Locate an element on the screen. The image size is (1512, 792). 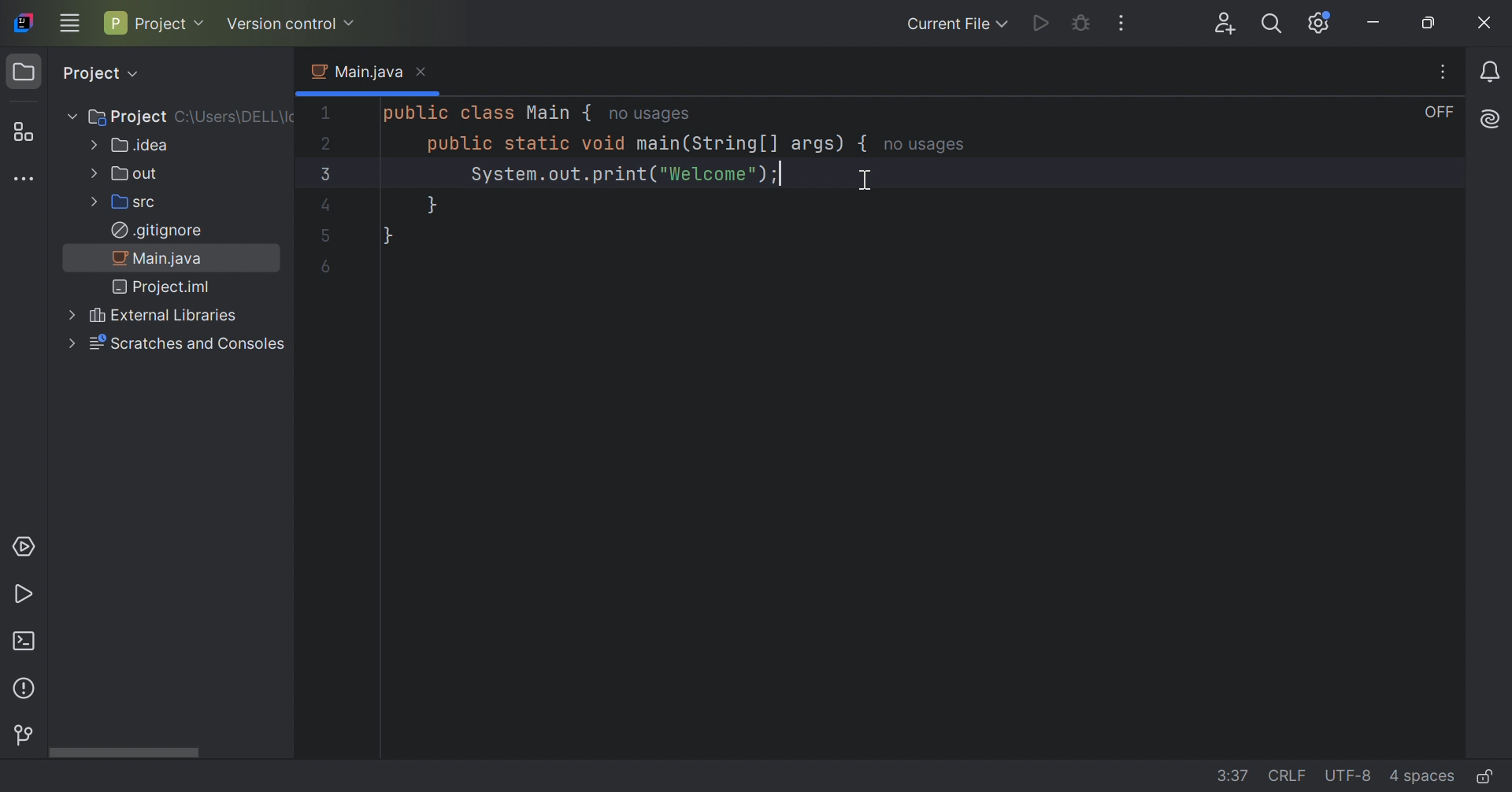
2 is located at coordinates (328, 143).